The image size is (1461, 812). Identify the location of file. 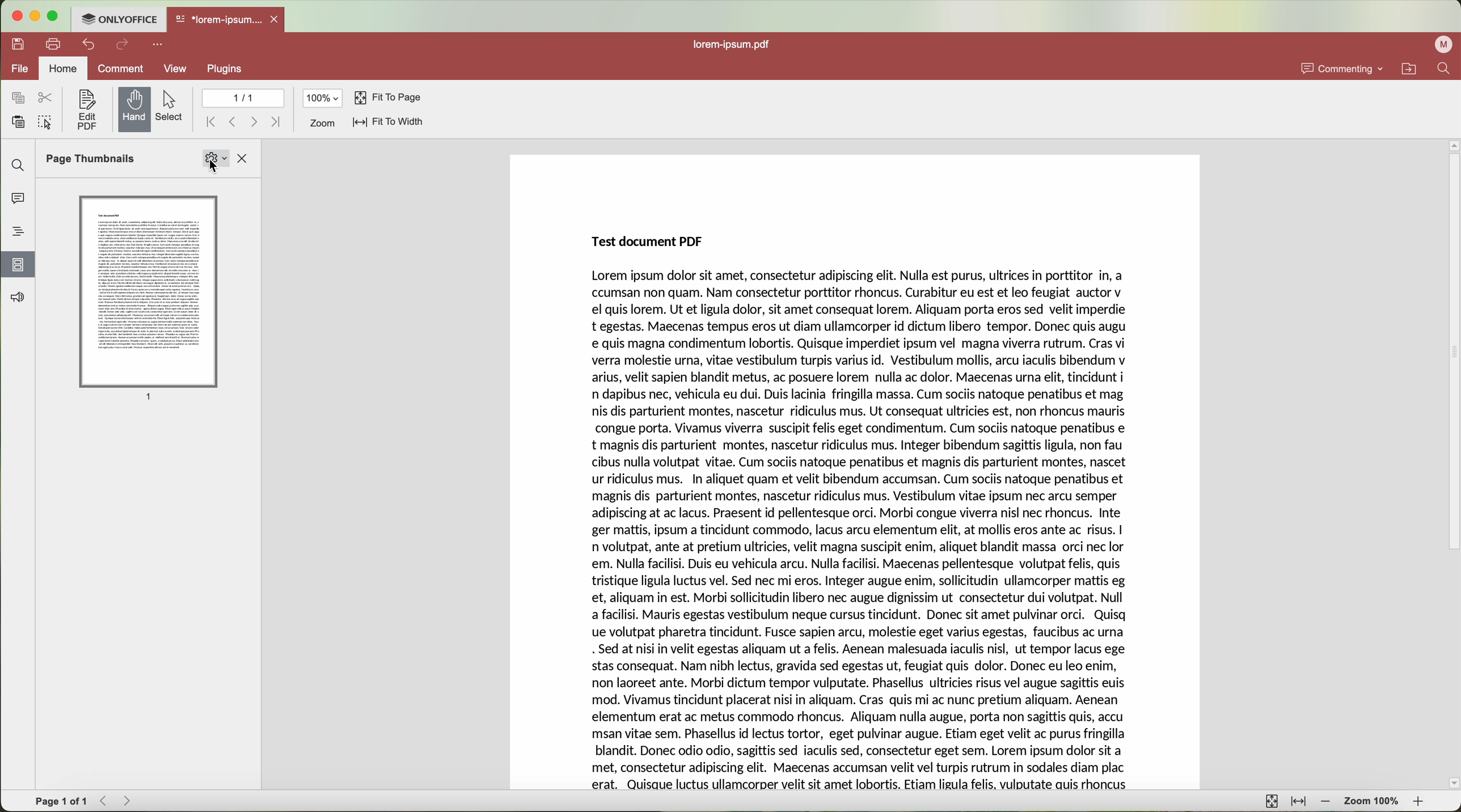
(15, 69).